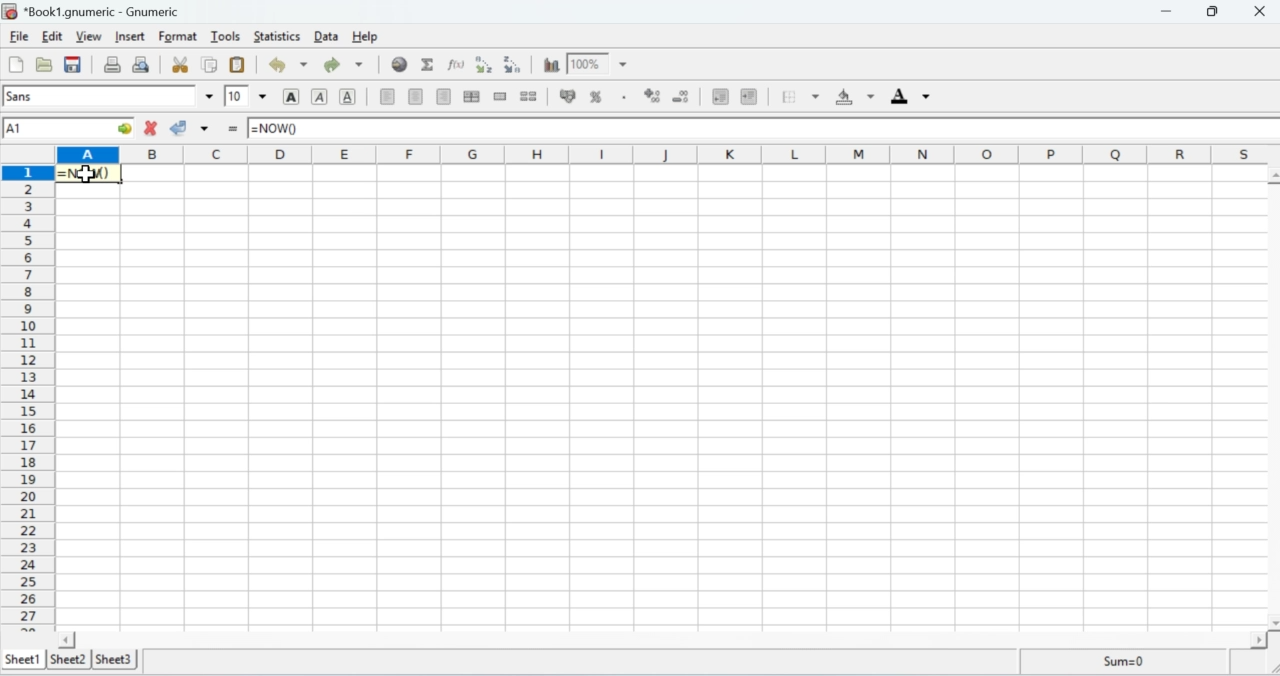 The height and width of the screenshot is (676, 1280). What do you see at coordinates (189, 130) in the screenshot?
I see `Accept change` at bounding box center [189, 130].